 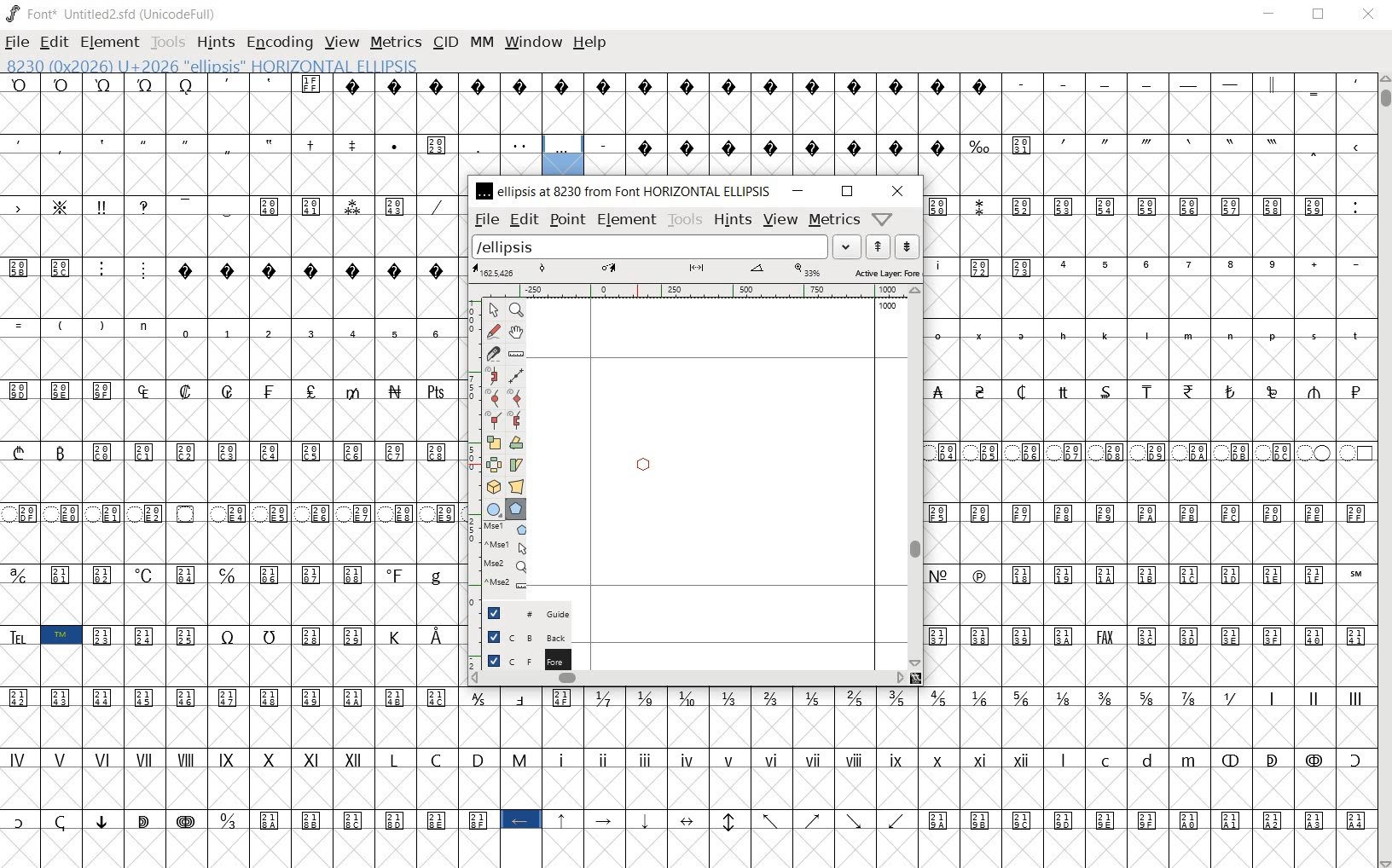 What do you see at coordinates (1267, 14) in the screenshot?
I see `MINIMIZE` at bounding box center [1267, 14].